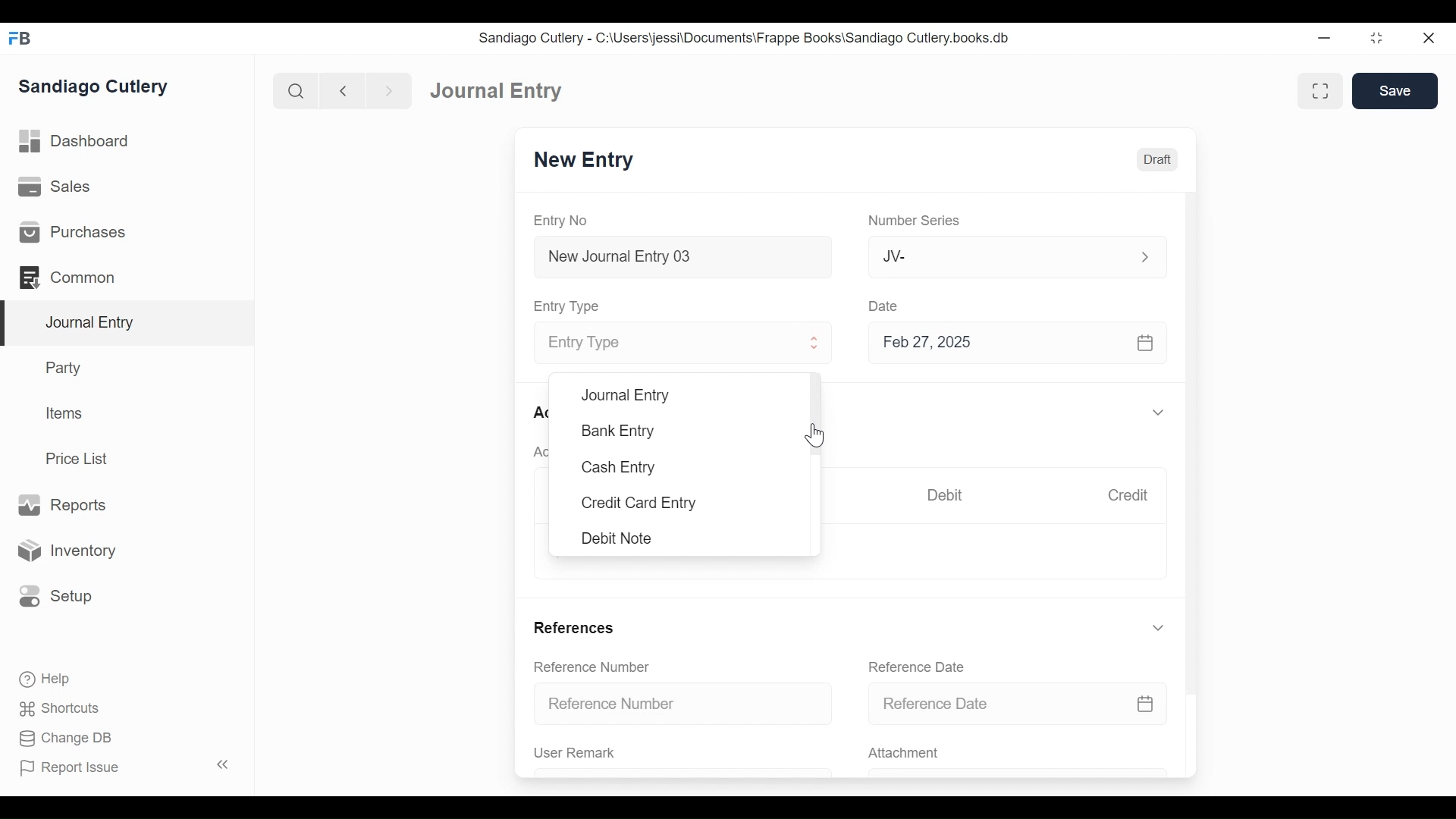 This screenshot has width=1456, height=819. I want to click on Party, so click(66, 367).